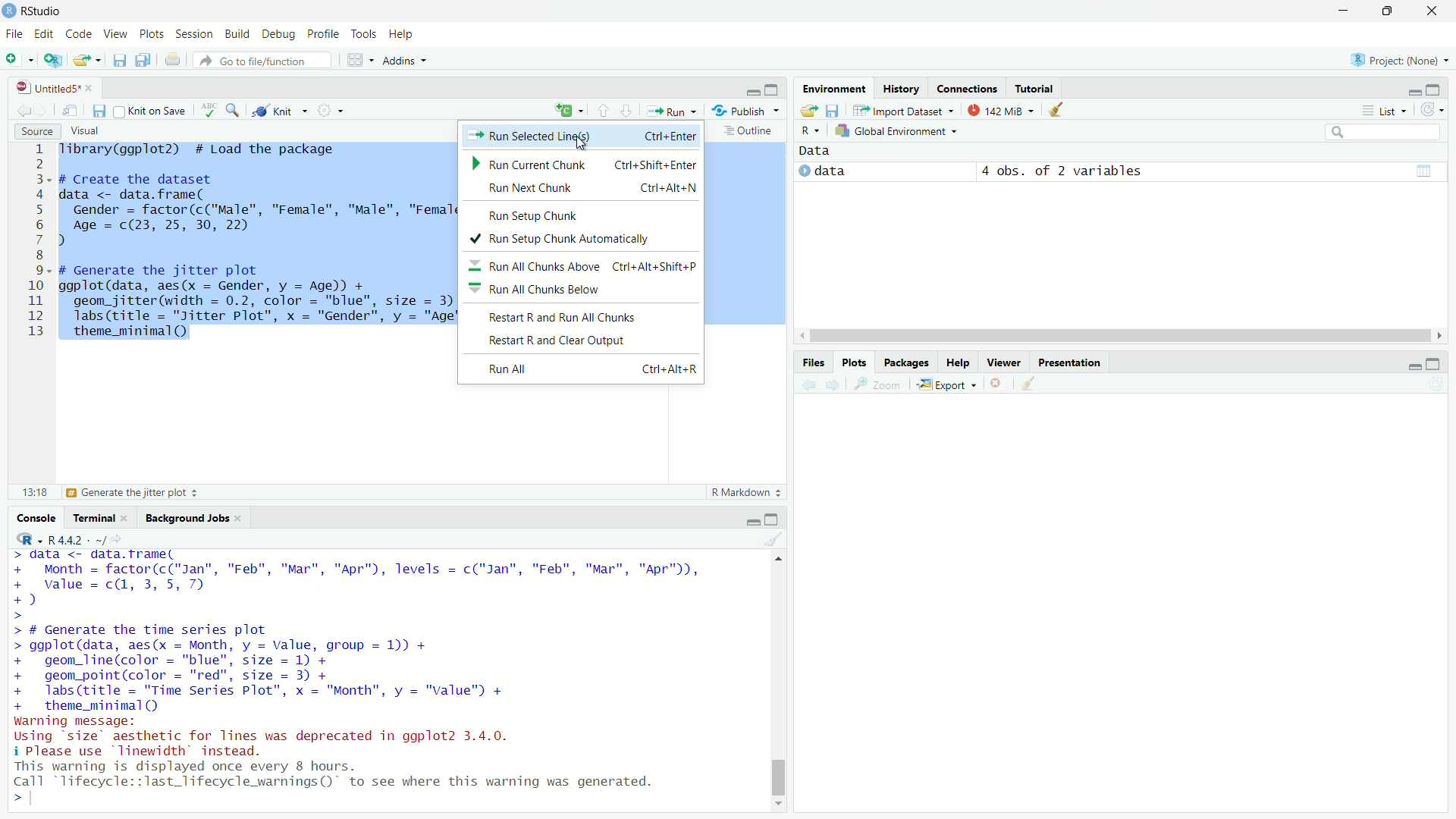  Describe the element at coordinates (30, 518) in the screenshot. I see `console` at that location.